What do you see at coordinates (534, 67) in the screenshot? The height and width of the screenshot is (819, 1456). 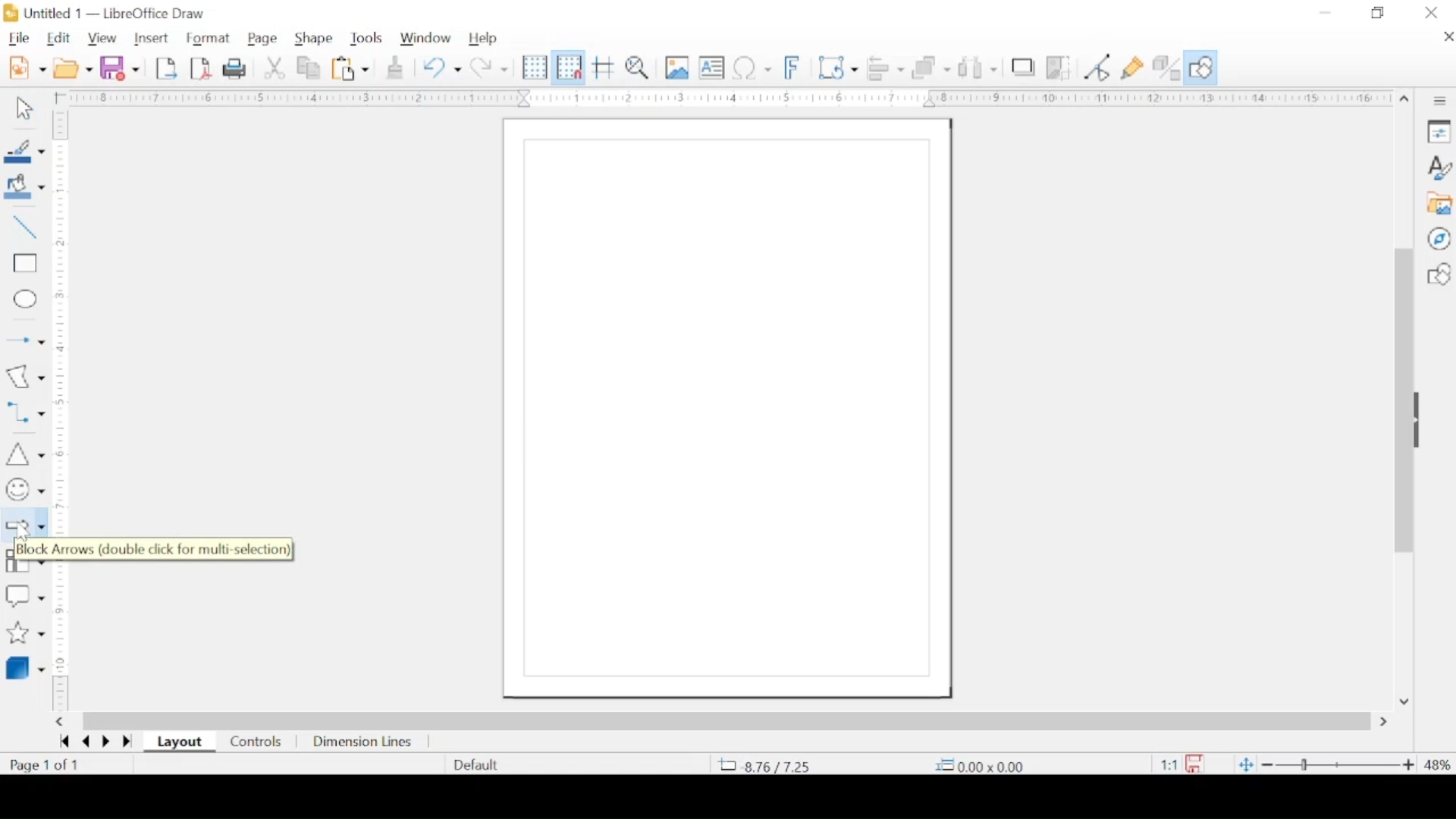 I see `display grid` at bounding box center [534, 67].